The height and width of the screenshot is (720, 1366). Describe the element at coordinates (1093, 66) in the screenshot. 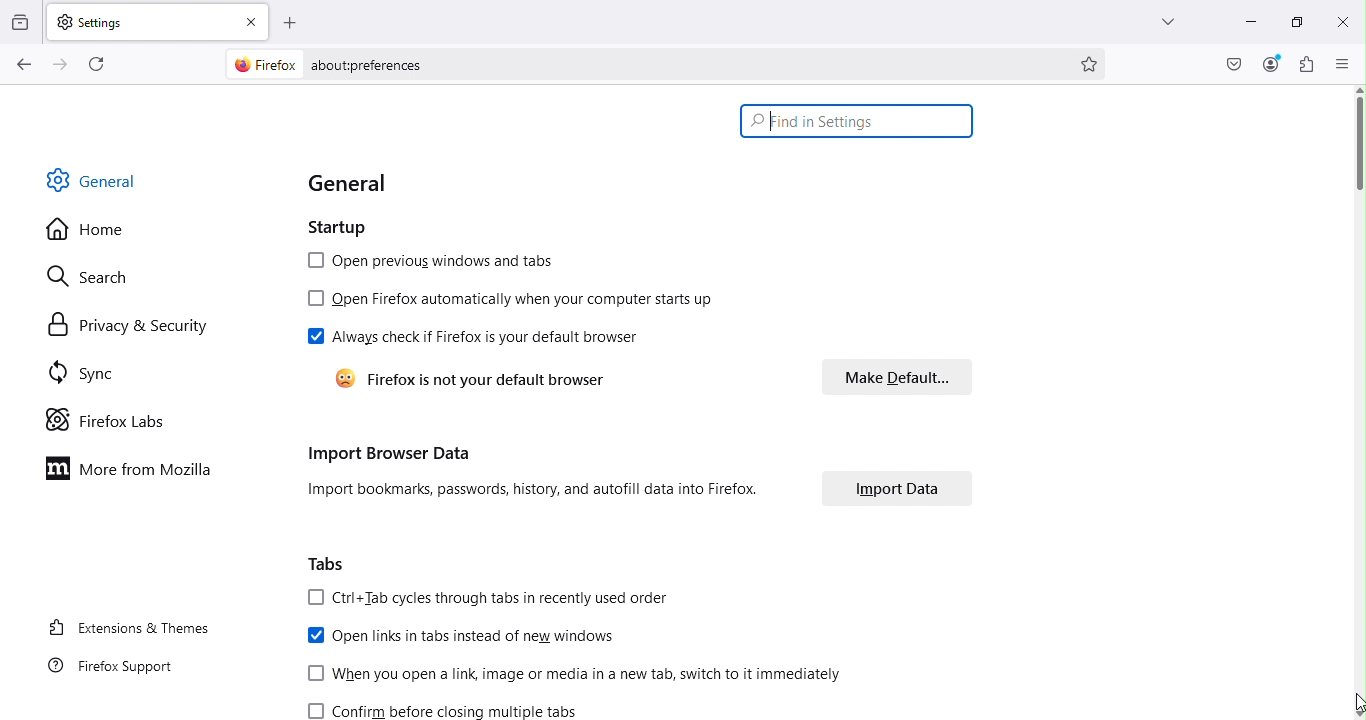

I see `Bookmark this page` at that location.